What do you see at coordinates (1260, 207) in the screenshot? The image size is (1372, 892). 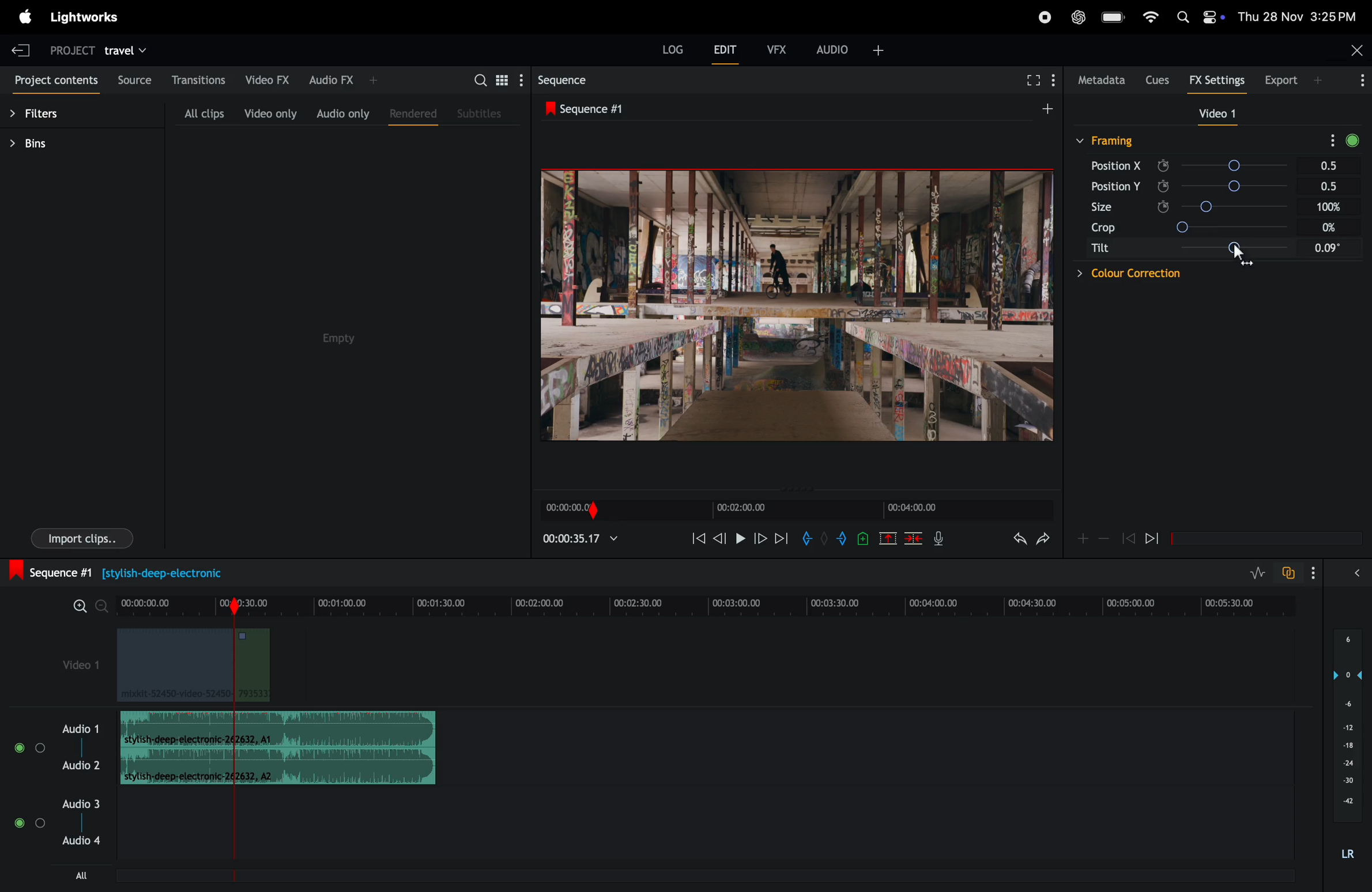 I see `Size slider` at bounding box center [1260, 207].